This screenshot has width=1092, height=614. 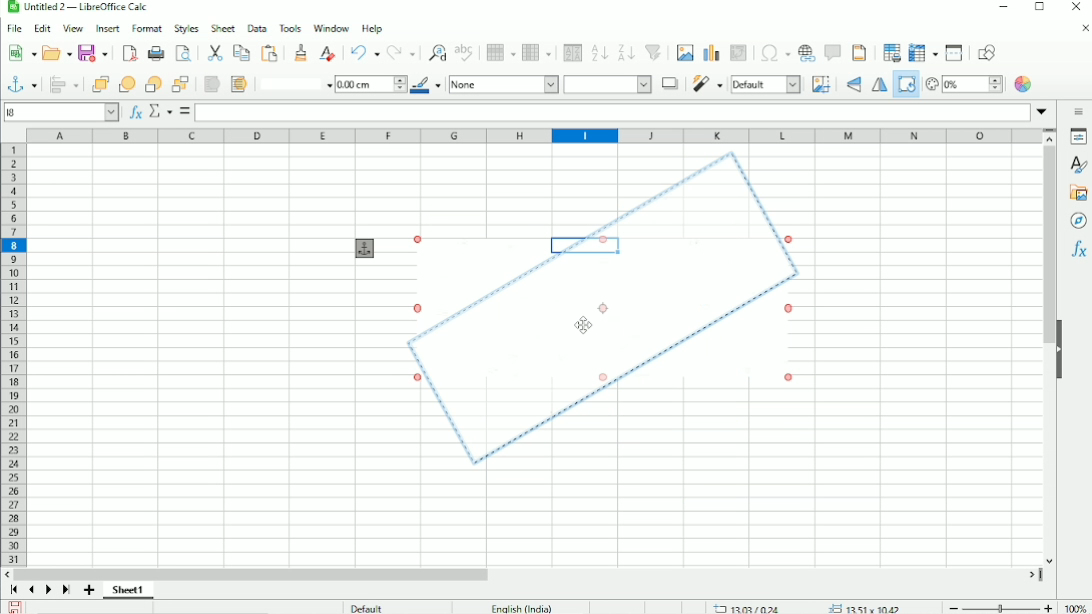 What do you see at coordinates (572, 53) in the screenshot?
I see `Sort` at bounding box center [572, 53].